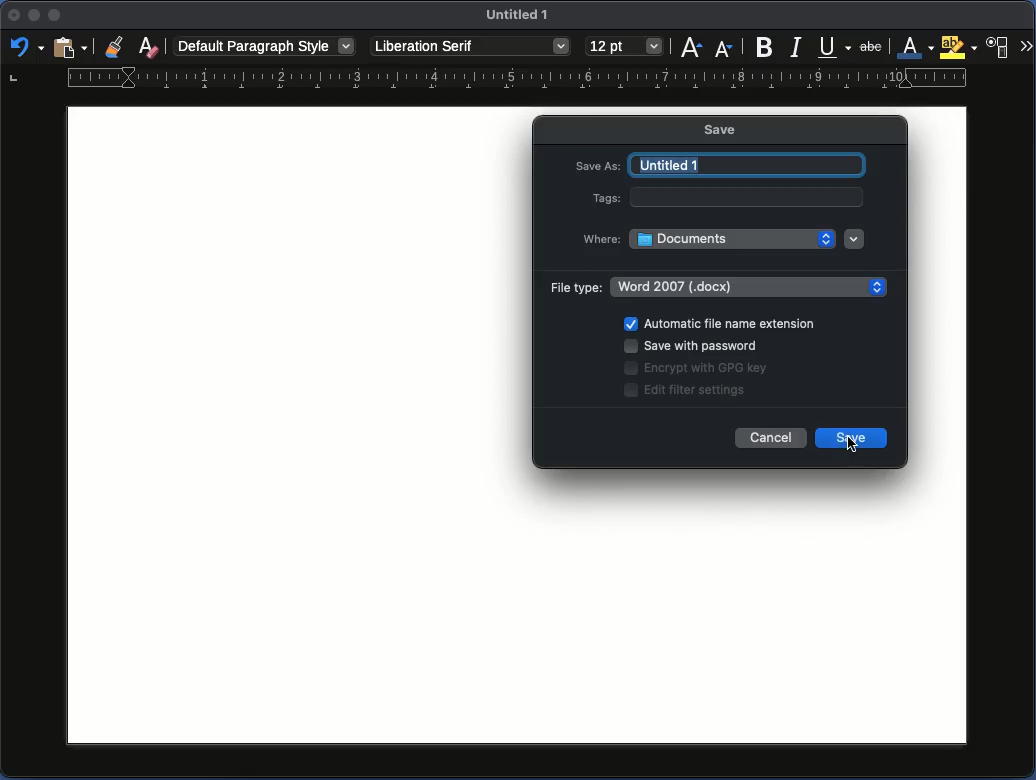 Image resolution: width=1036 pixels, height=780 pixels. Describe the element at coordinates (56, 16) in the screenshot. I see `Minimize` at that location.